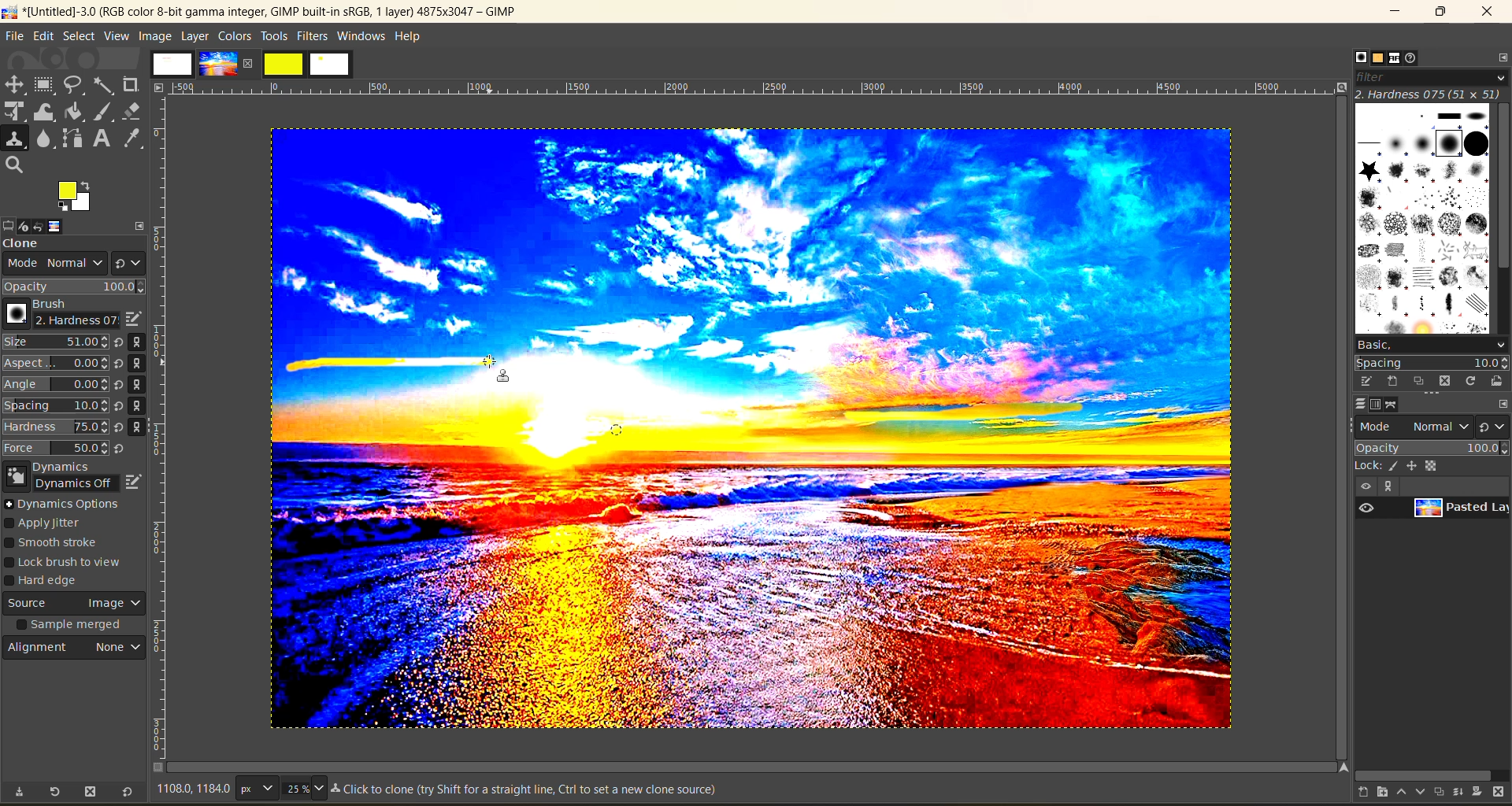  I want to click on Force. 50.0, so click(56, 448).